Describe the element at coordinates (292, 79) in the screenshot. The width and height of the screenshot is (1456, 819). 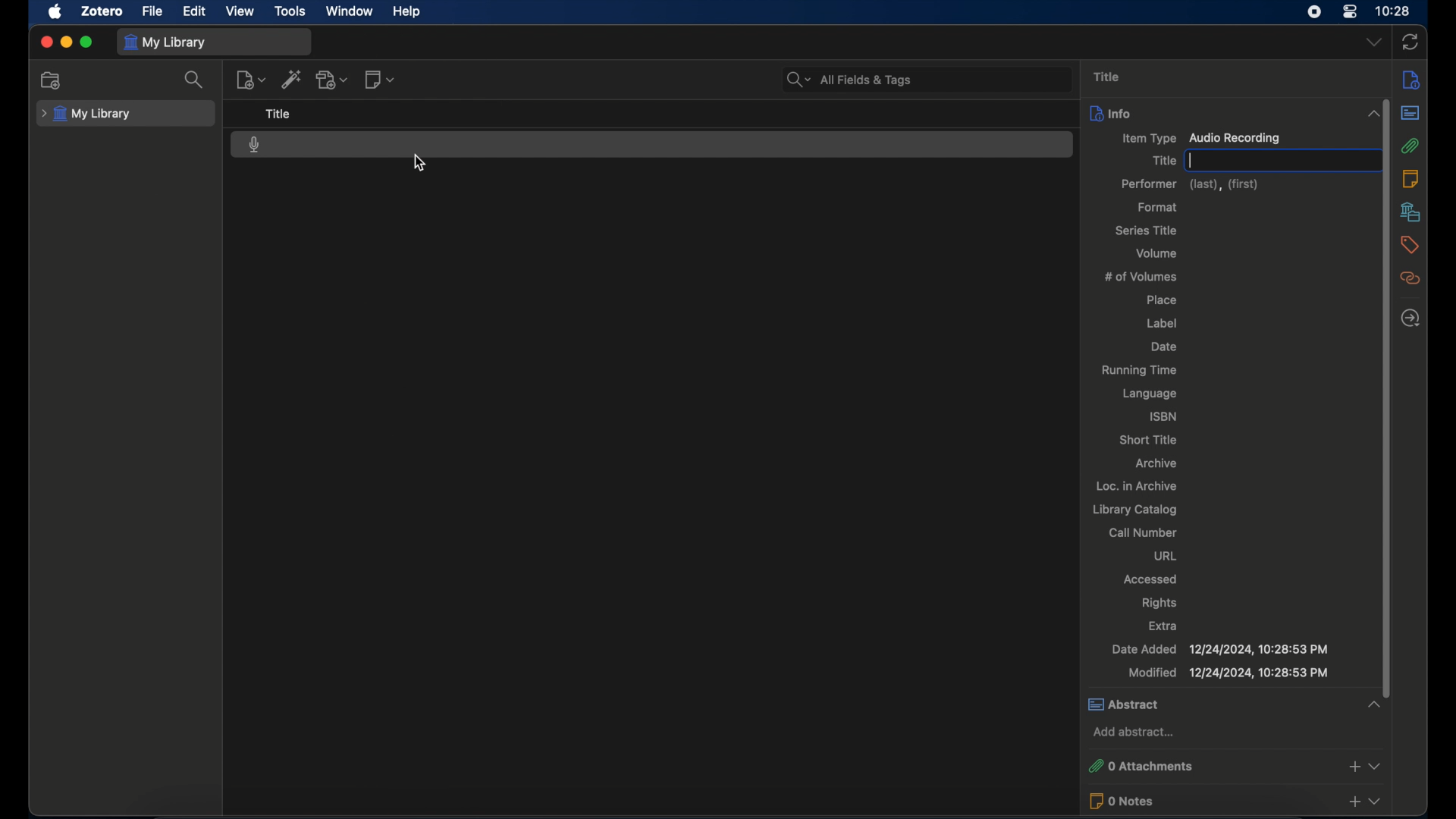
I see `add item by identifier` at that location.